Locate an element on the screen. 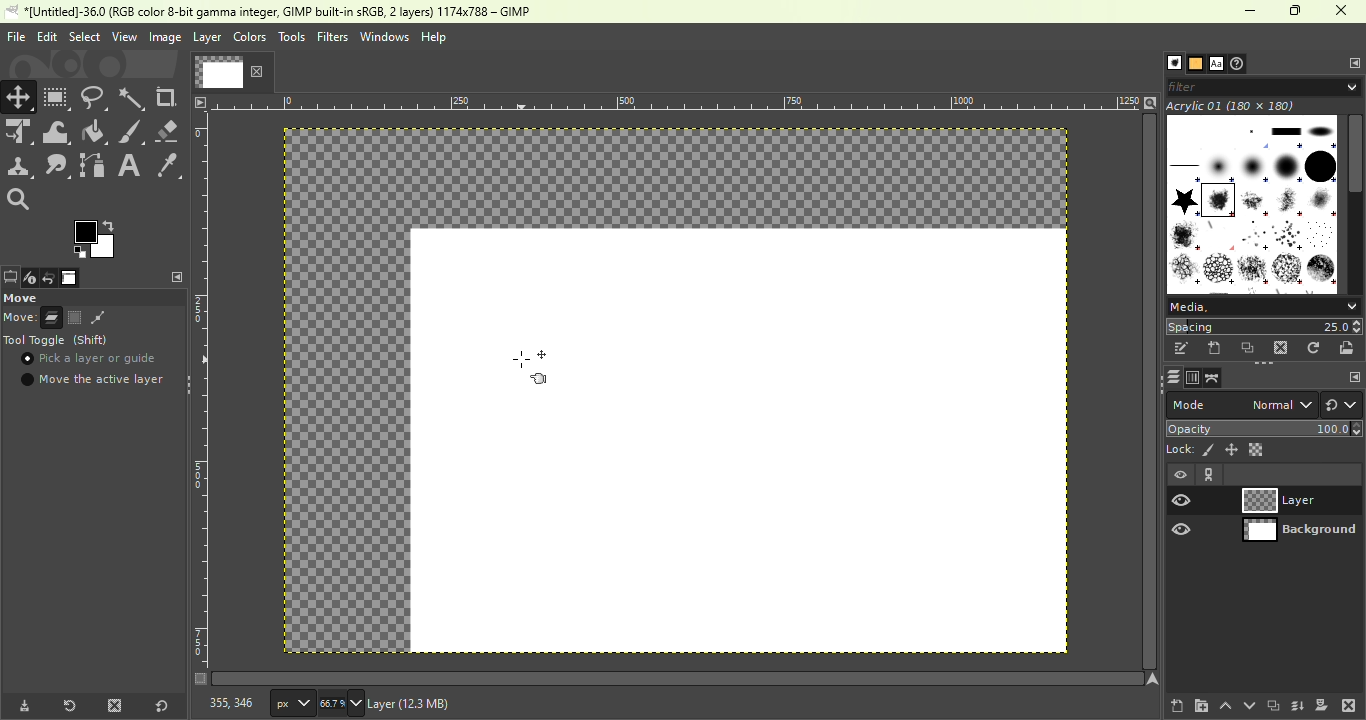 The image size is (1366, 720). Lock pixels is located at coordinates (1190, 449).